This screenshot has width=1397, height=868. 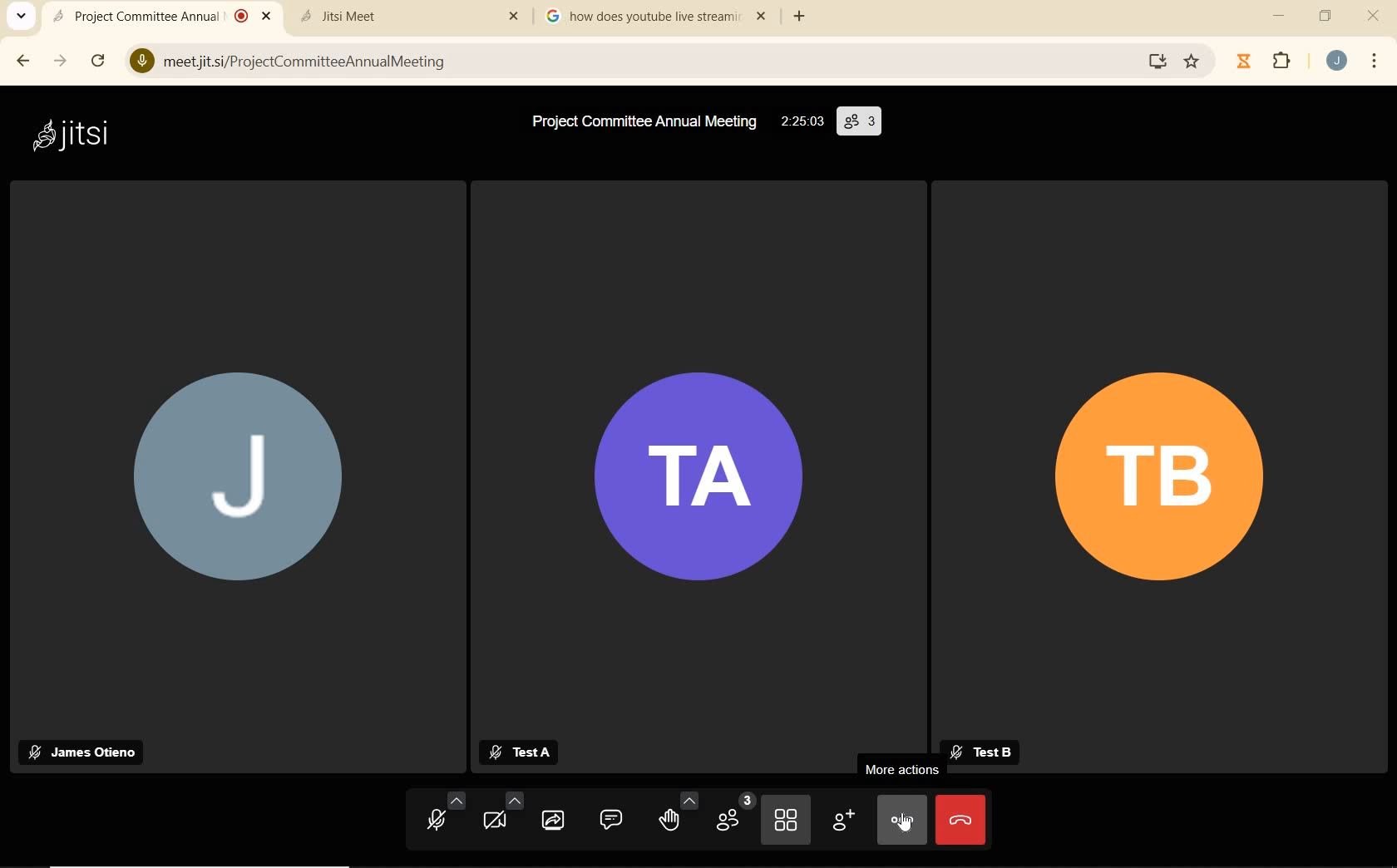 What do you see at coordinates (802, 122) in the screenshot?
I see `timer` at bounding box center [802, 122].